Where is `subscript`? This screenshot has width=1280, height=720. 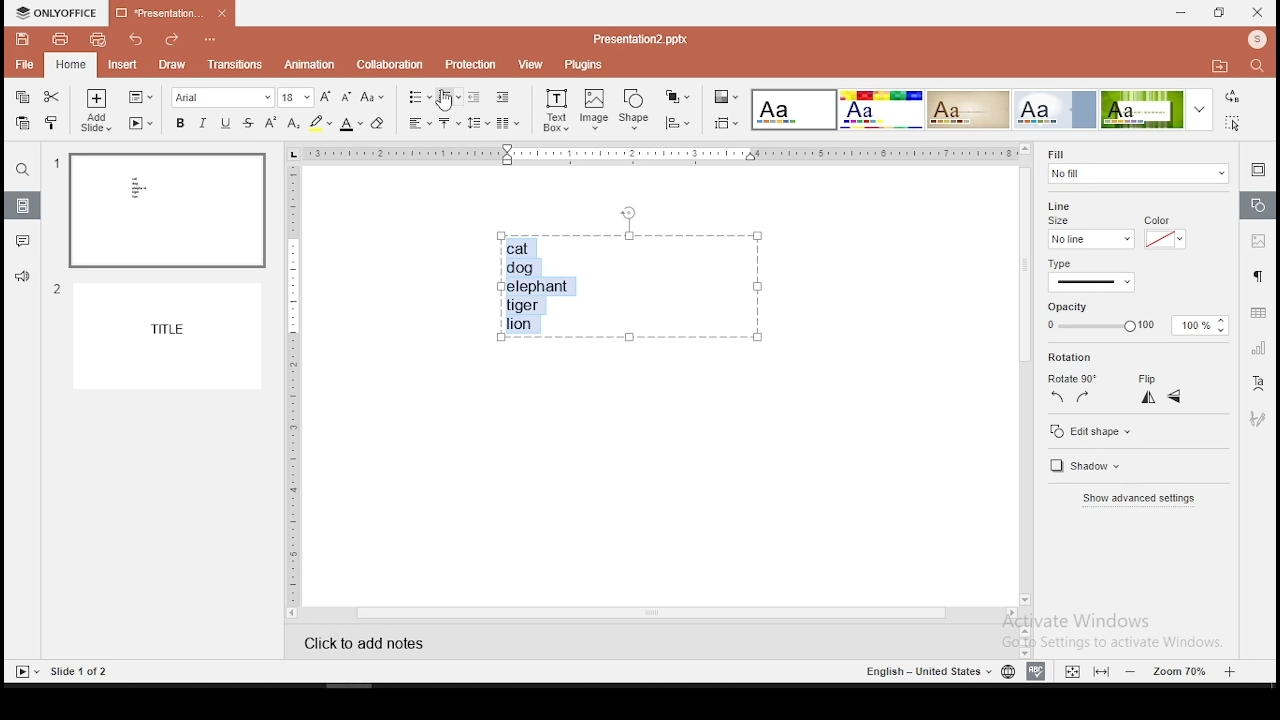 subscript is located at coordinates (292, 124).